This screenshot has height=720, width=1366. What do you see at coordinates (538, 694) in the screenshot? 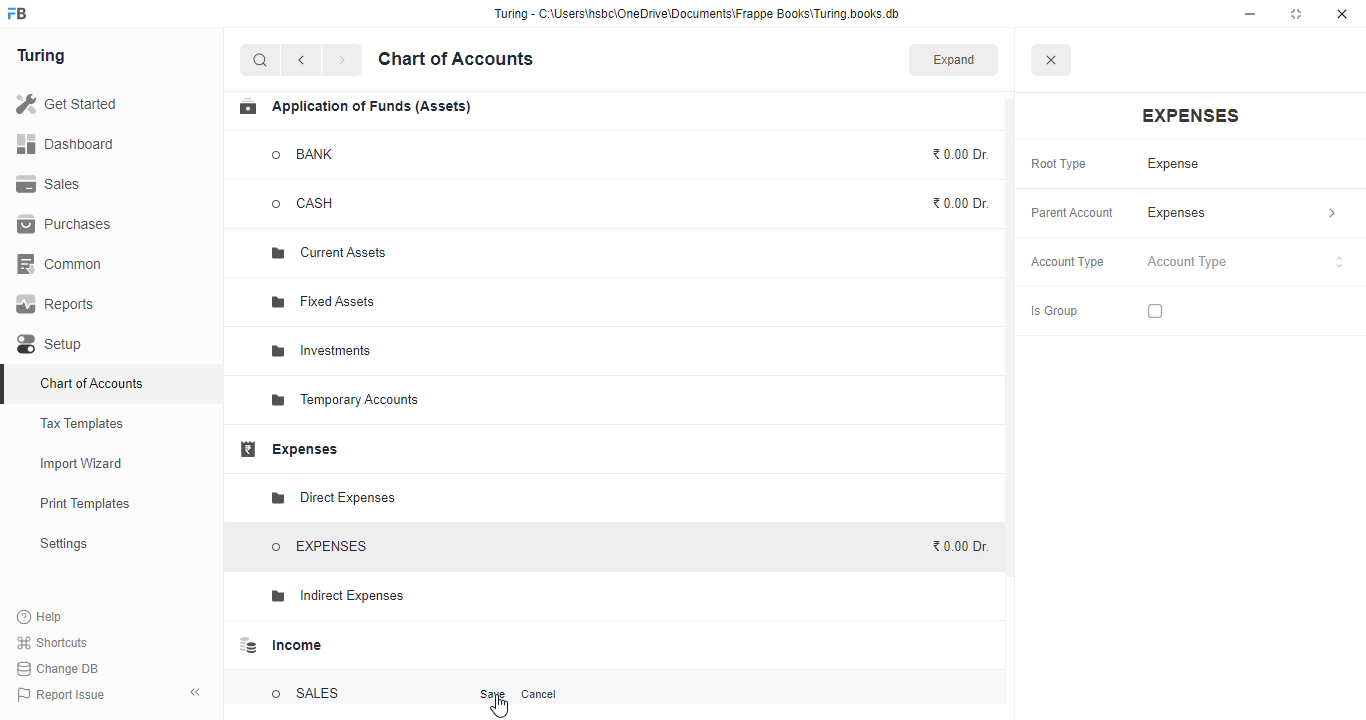
I see `cancel` at bounding box center [538, 694].